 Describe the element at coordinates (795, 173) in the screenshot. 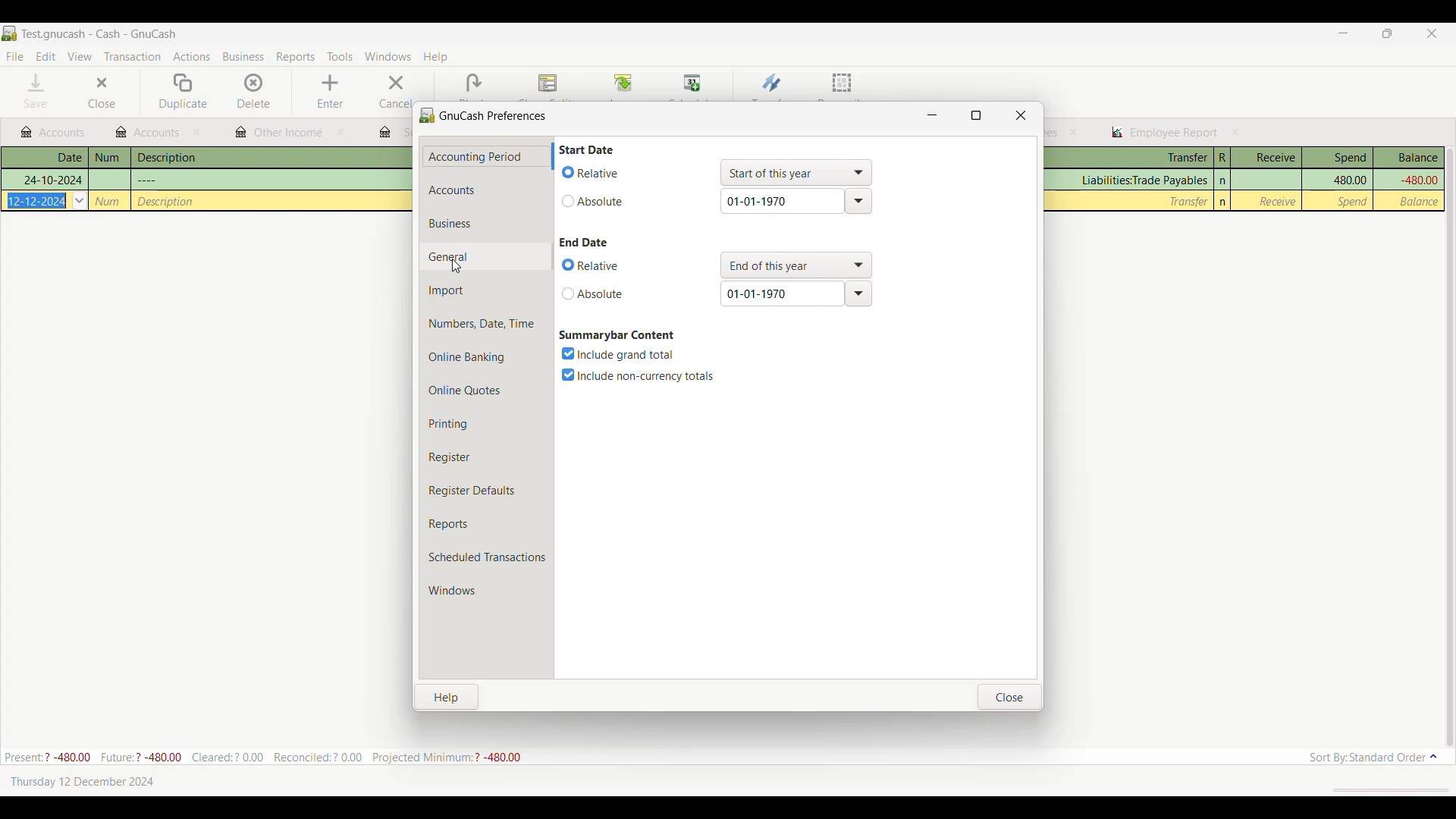

I see `Click to see respective options` at that location.